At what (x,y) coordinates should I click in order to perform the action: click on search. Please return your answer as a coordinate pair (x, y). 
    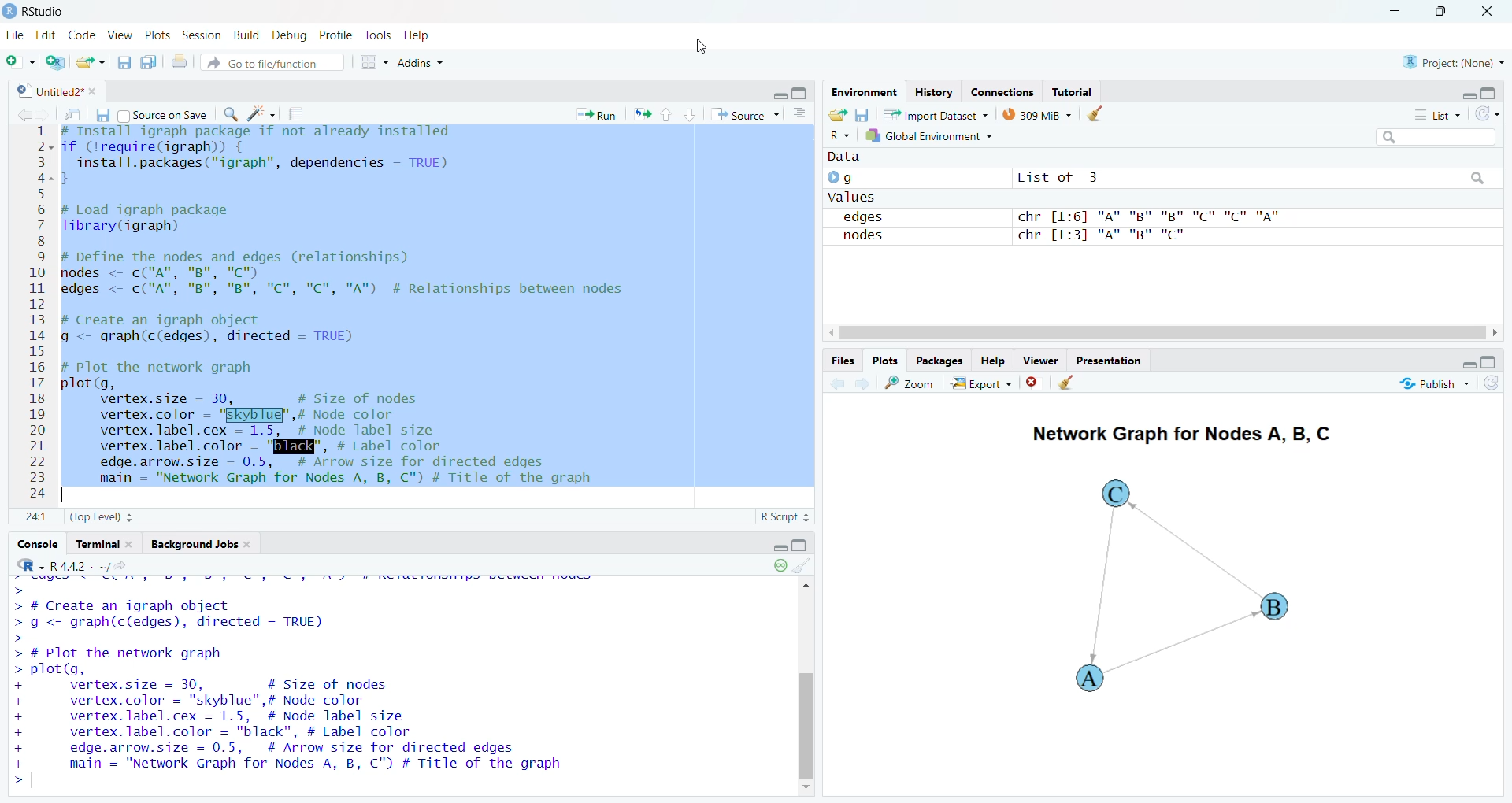
    Looking at the image, I should click on (1440, 135).